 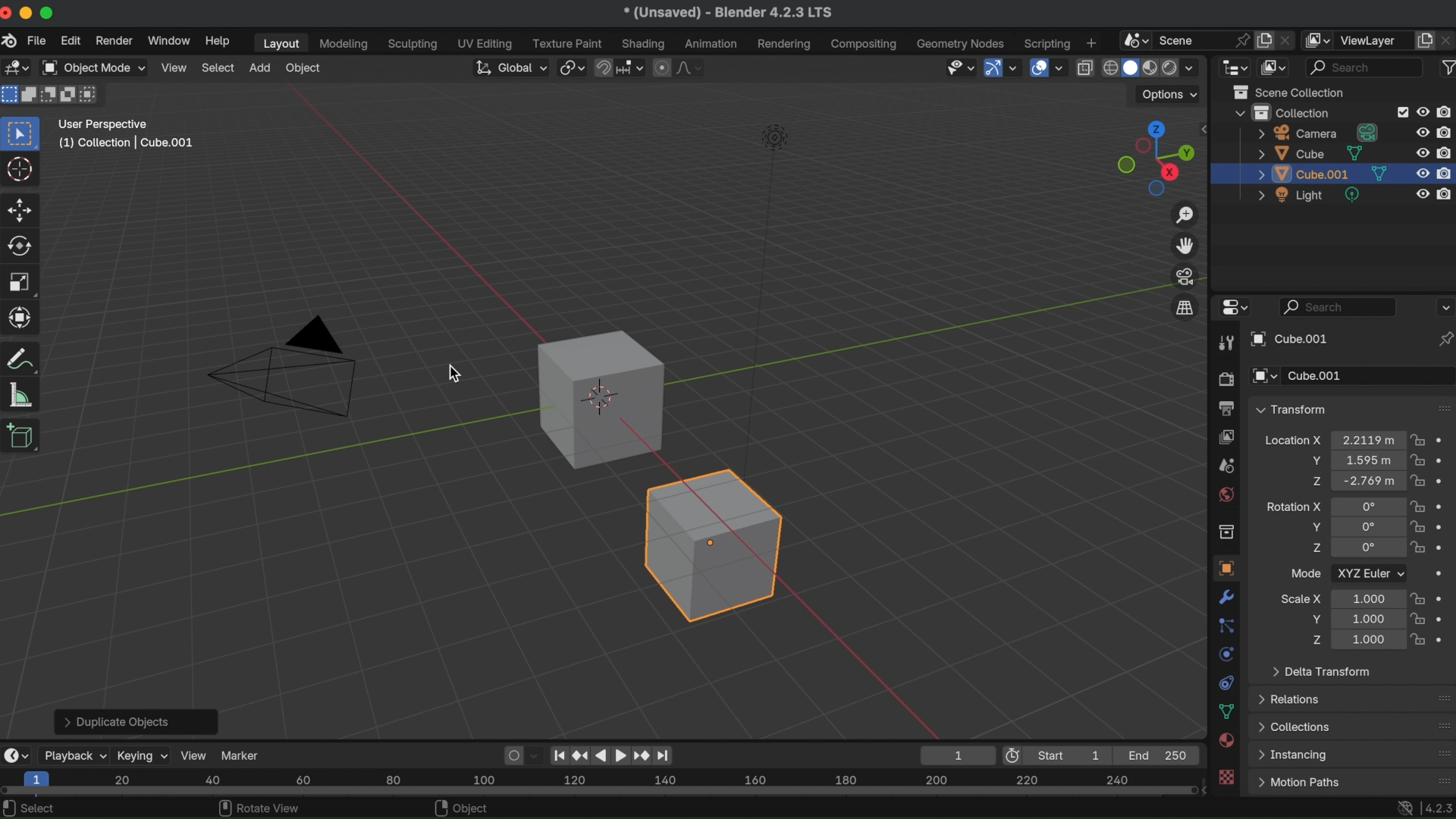 What do you see at coordinates (69, 96) in the screenshot?
I see `mode invert existing condition` at bounding box center [69, 96].